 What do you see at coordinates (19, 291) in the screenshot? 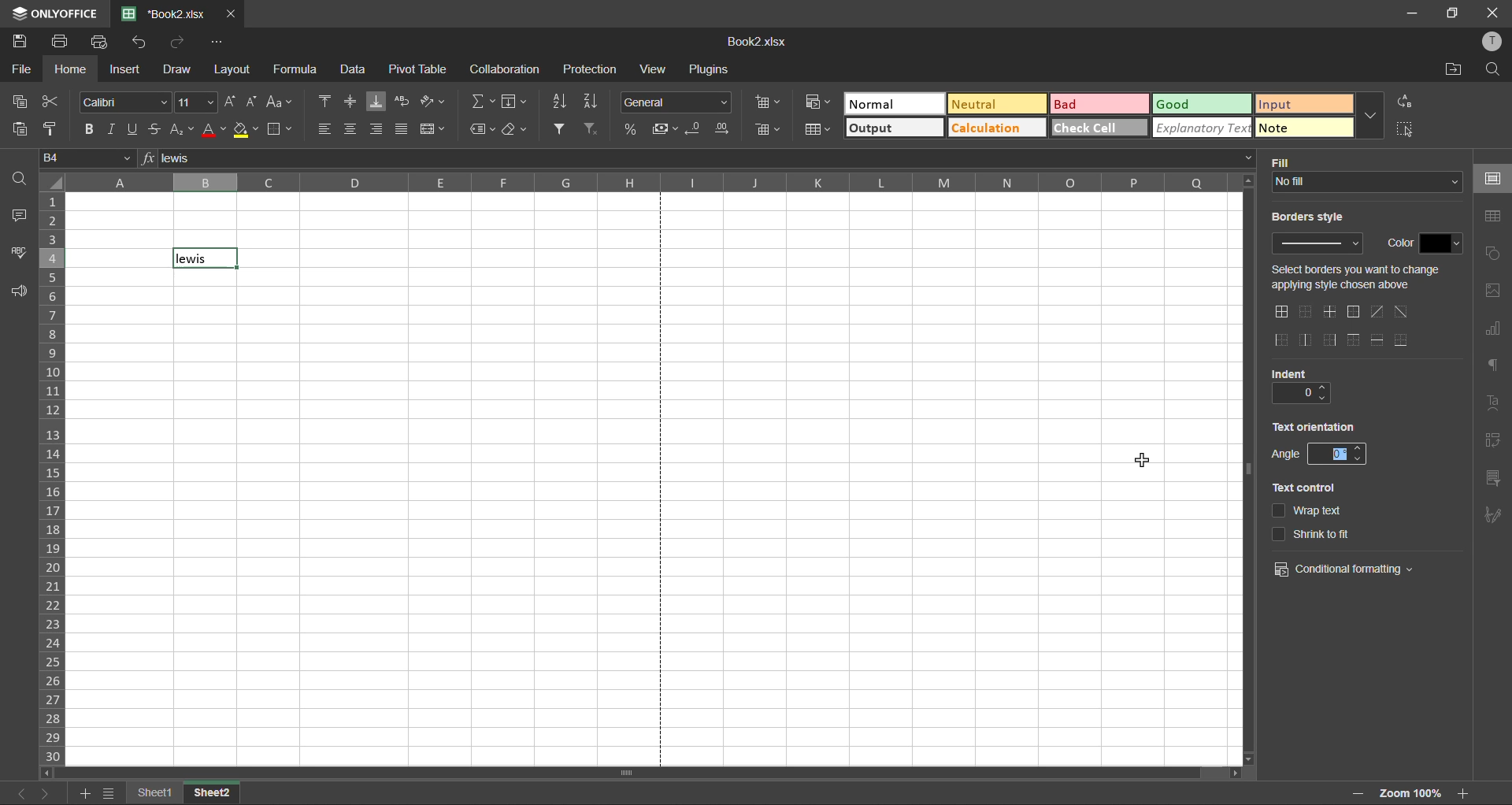
I see `feedback` at bounding box center [19, 291].